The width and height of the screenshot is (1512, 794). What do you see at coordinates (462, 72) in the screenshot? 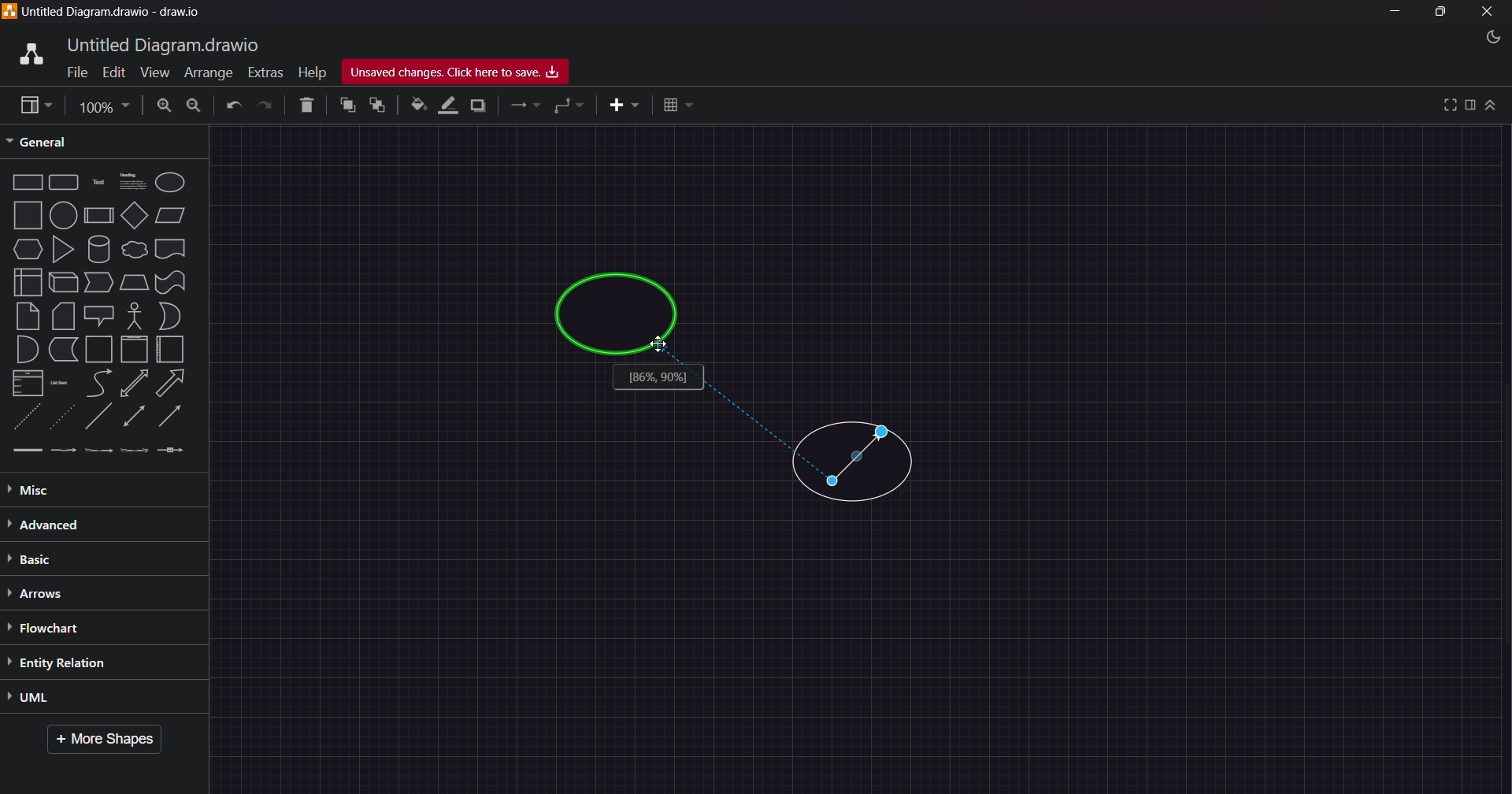
I see `Unsaved Changes, Click here to Save` at bounding box center [462, 72].